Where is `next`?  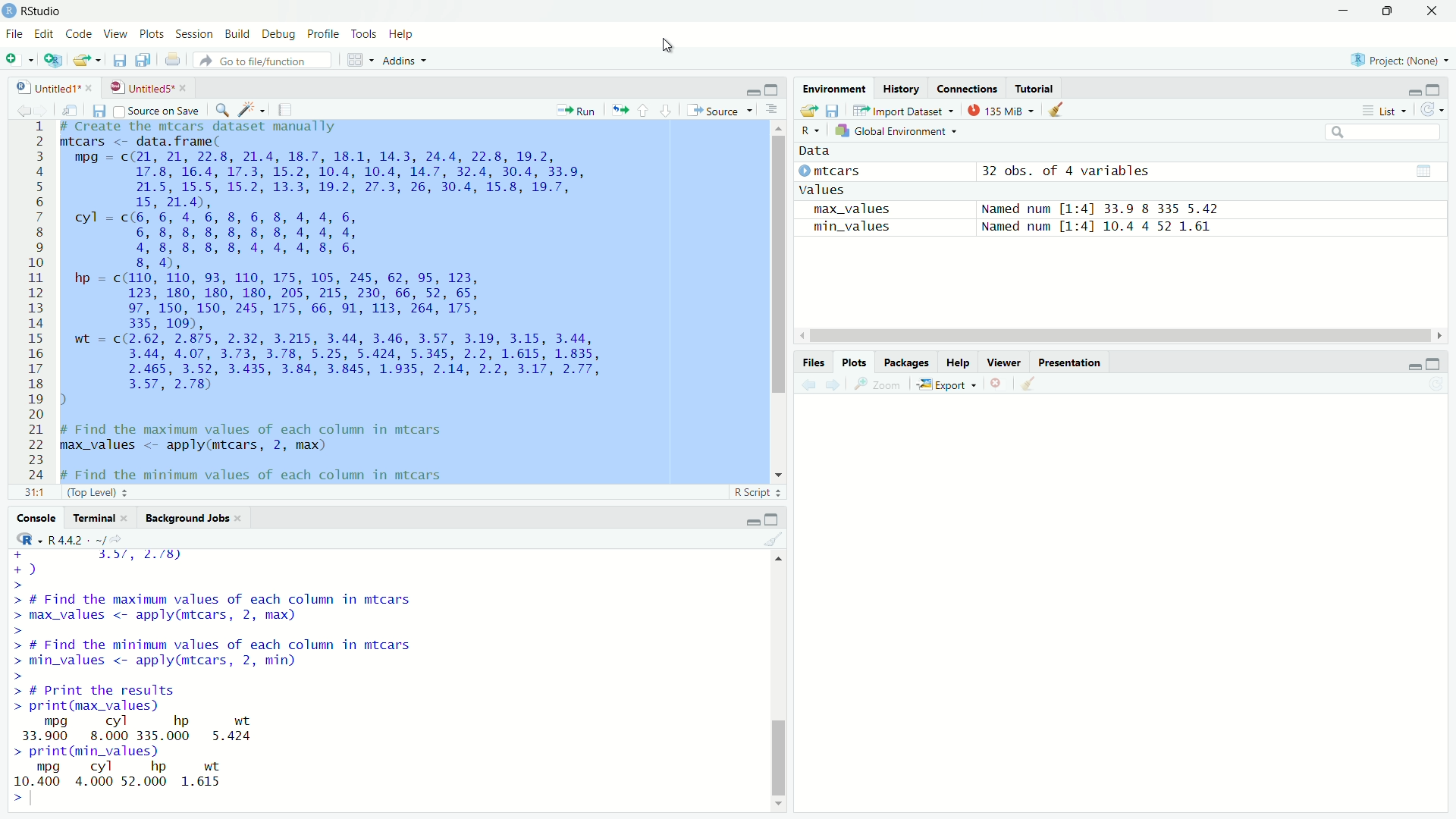
next is located at coordinates (836, 384).